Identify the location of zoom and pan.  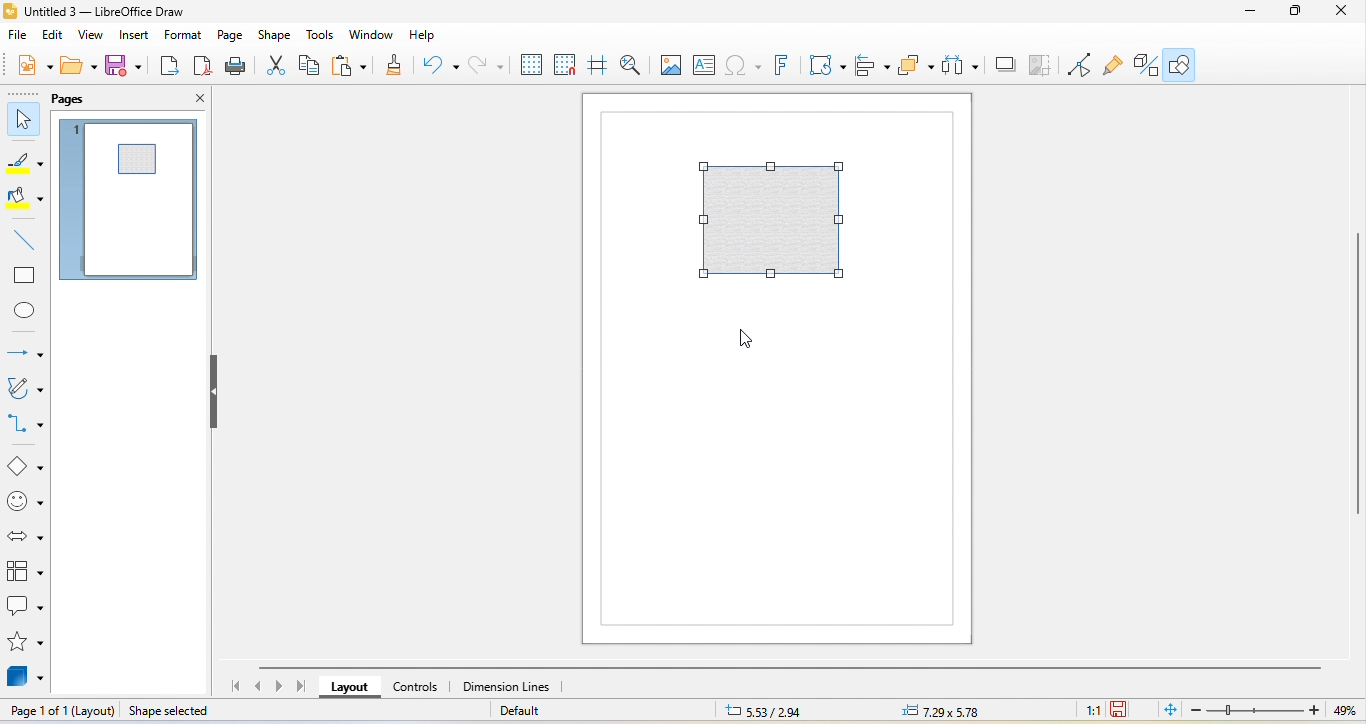
(632, 65).